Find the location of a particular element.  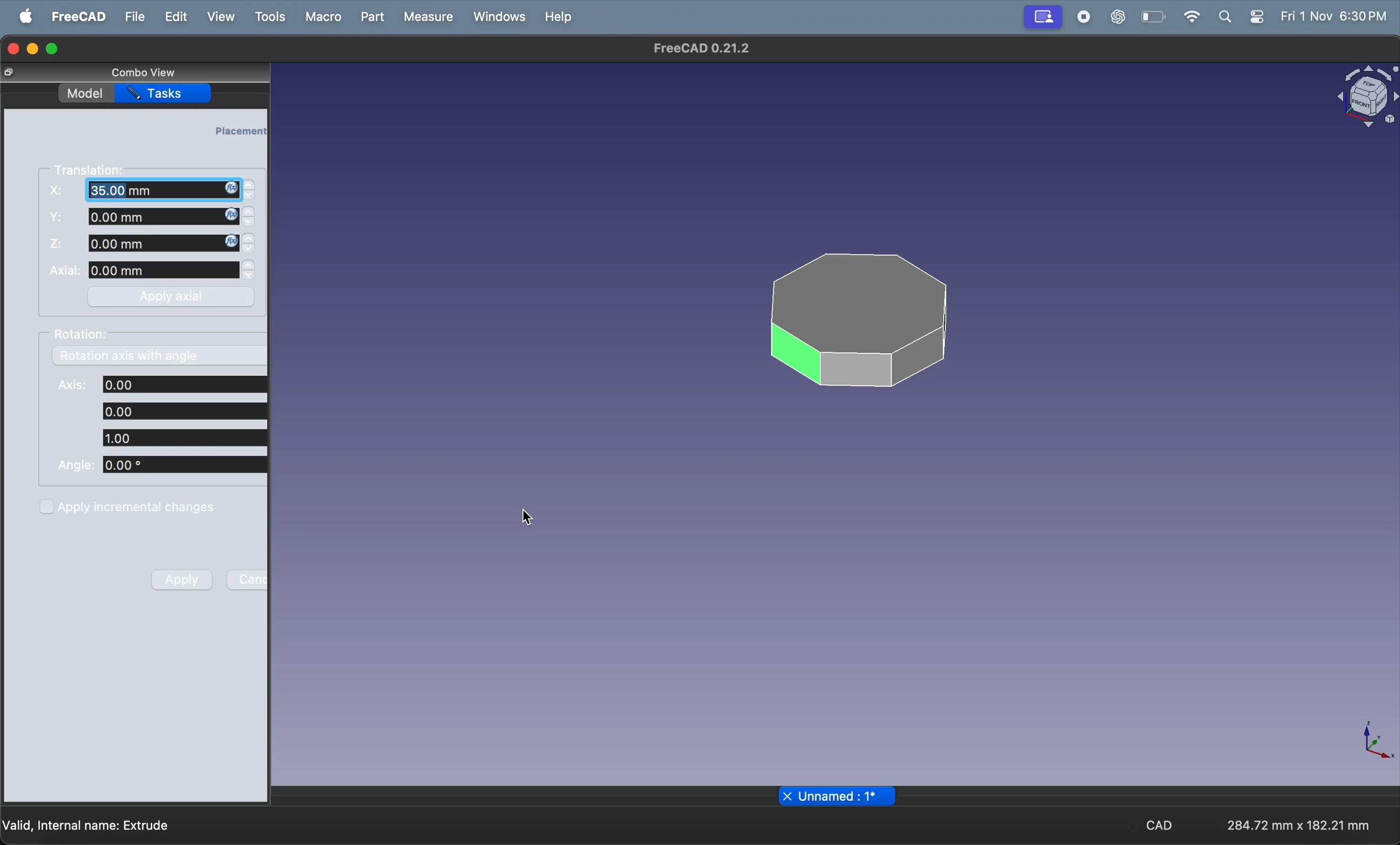

battery is located at coordinates (1151, 17).